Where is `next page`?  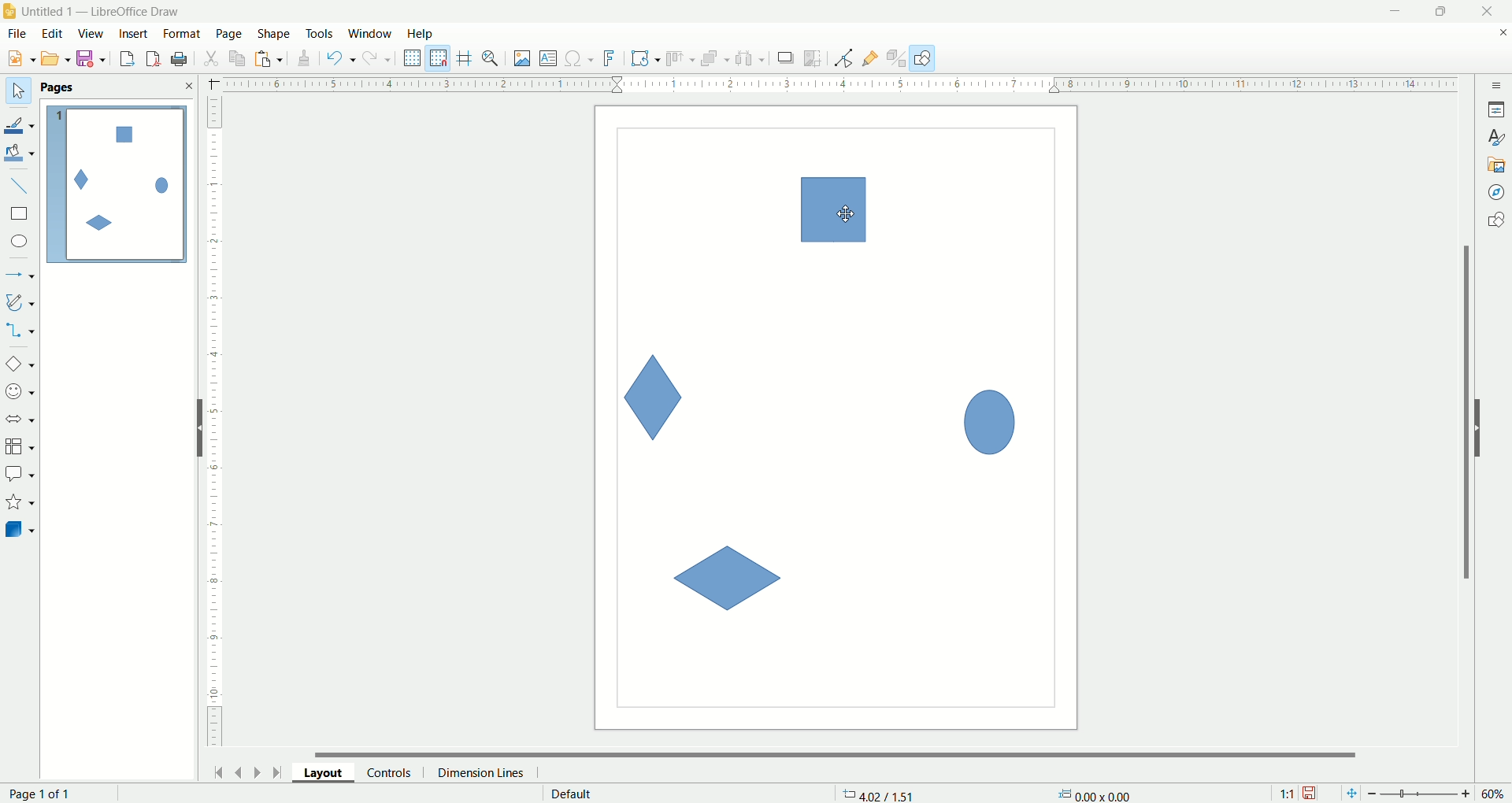 next page is located at coordinates (258, 772).